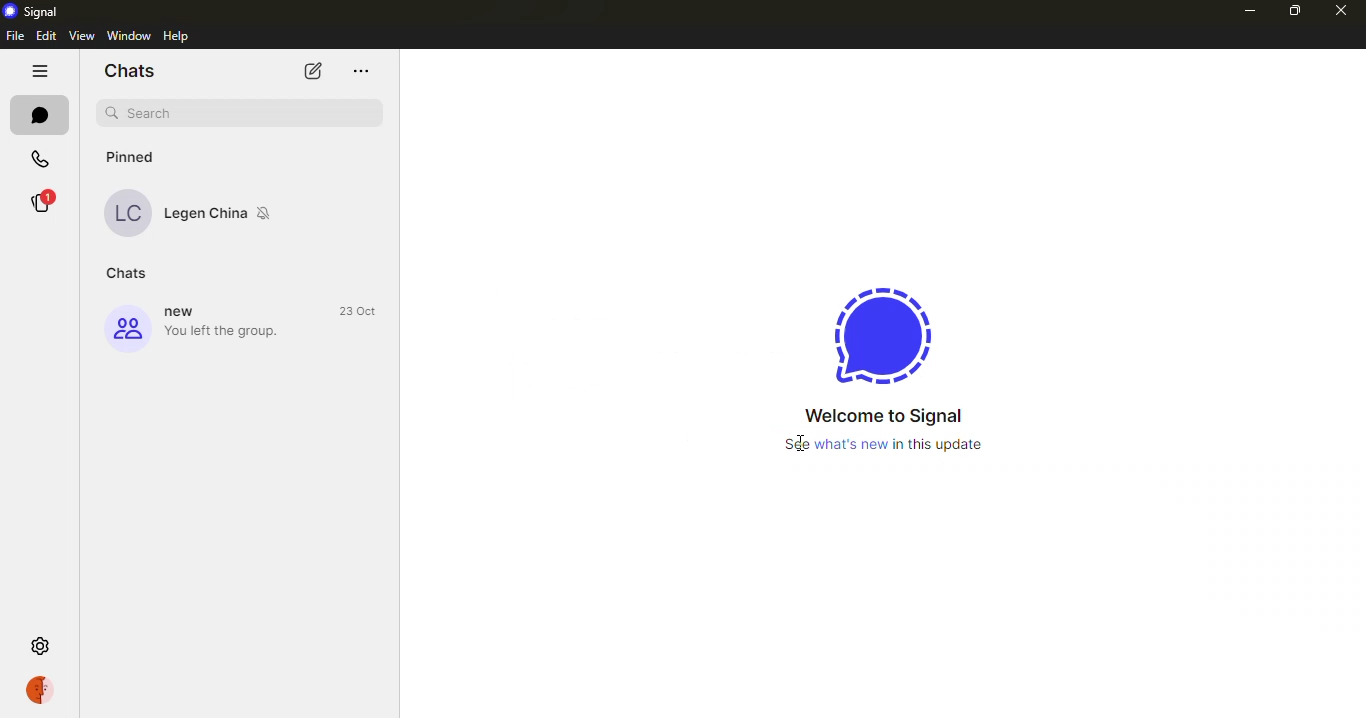 This screenshot has width=1366, height=718. I want to click on profile, so click(39, 690).